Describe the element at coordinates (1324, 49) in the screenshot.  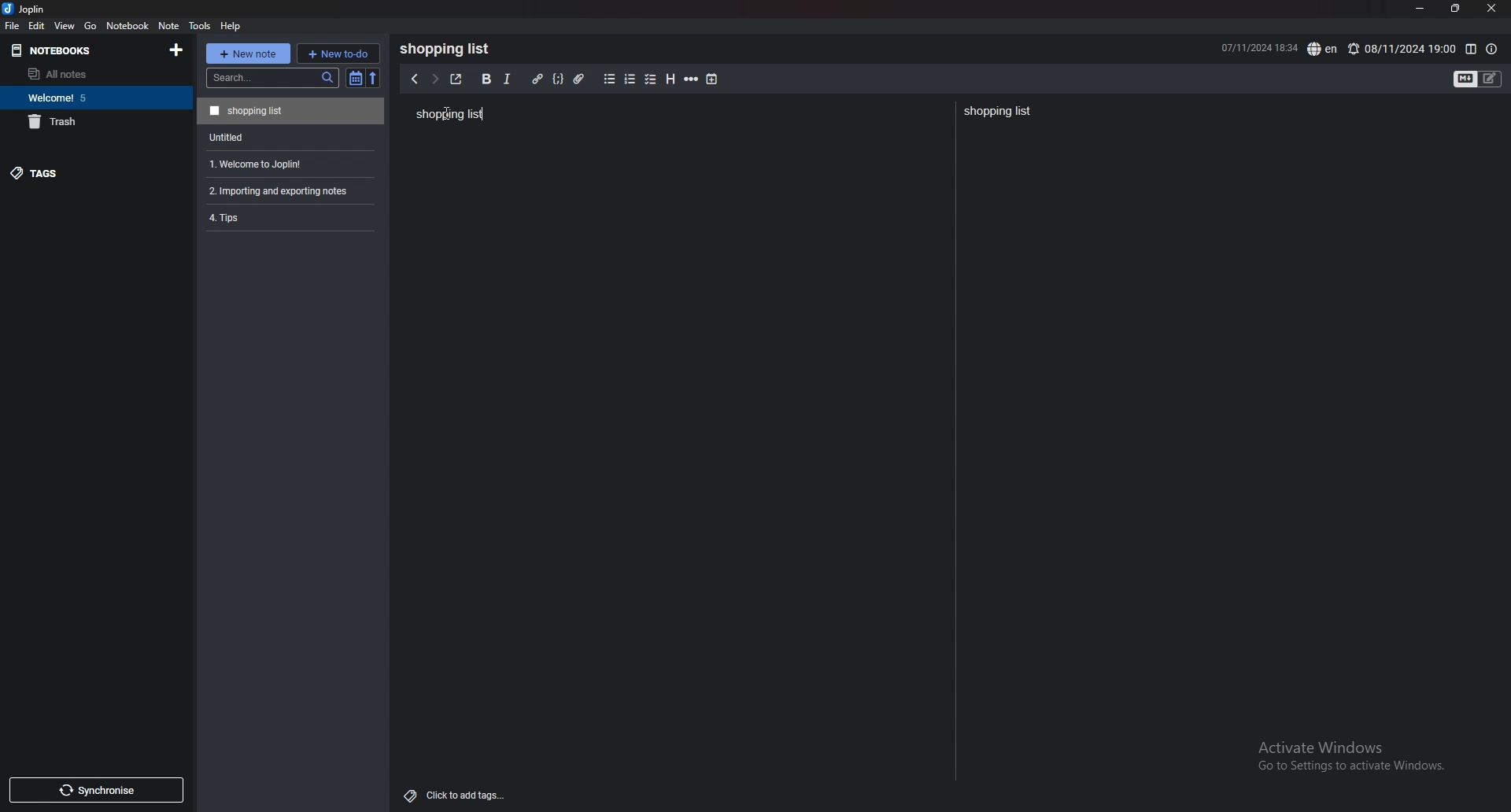
I see `spell check` at that location.